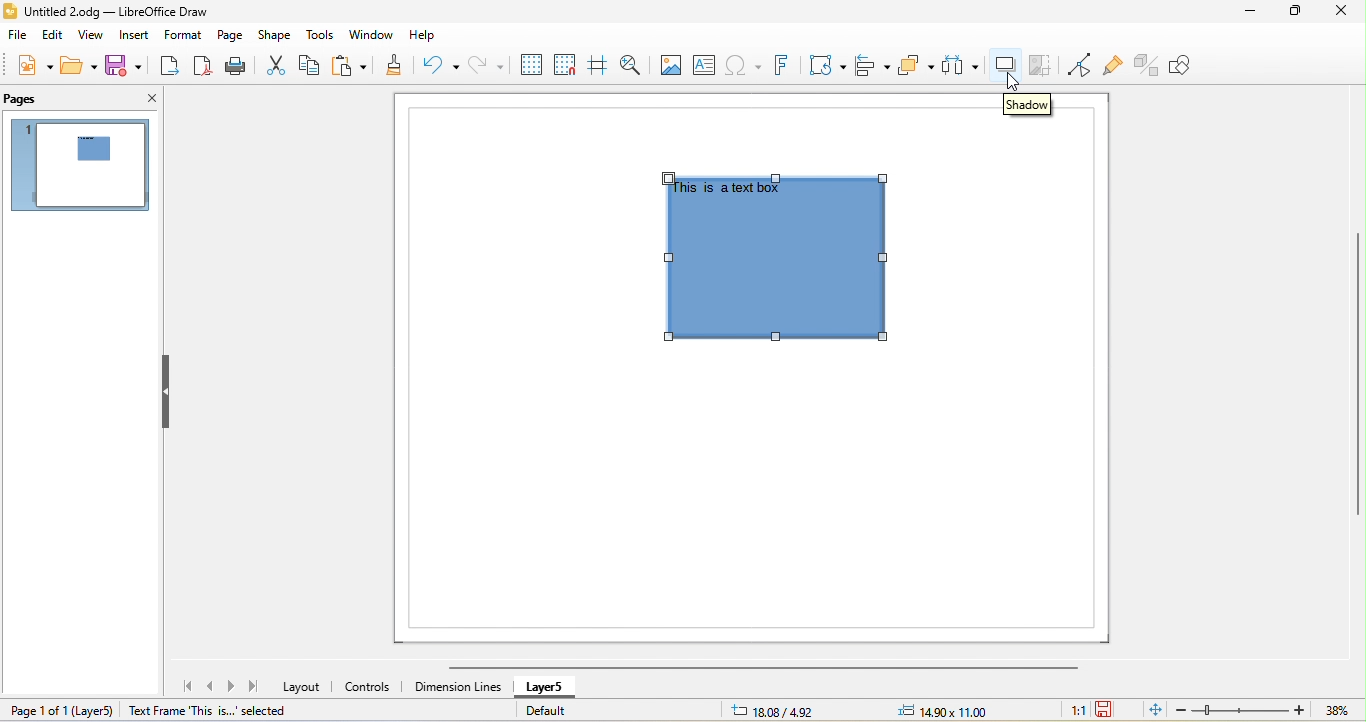 This screenshot has width=1366, height=722. I want to click on transformation, so click(828, 66).